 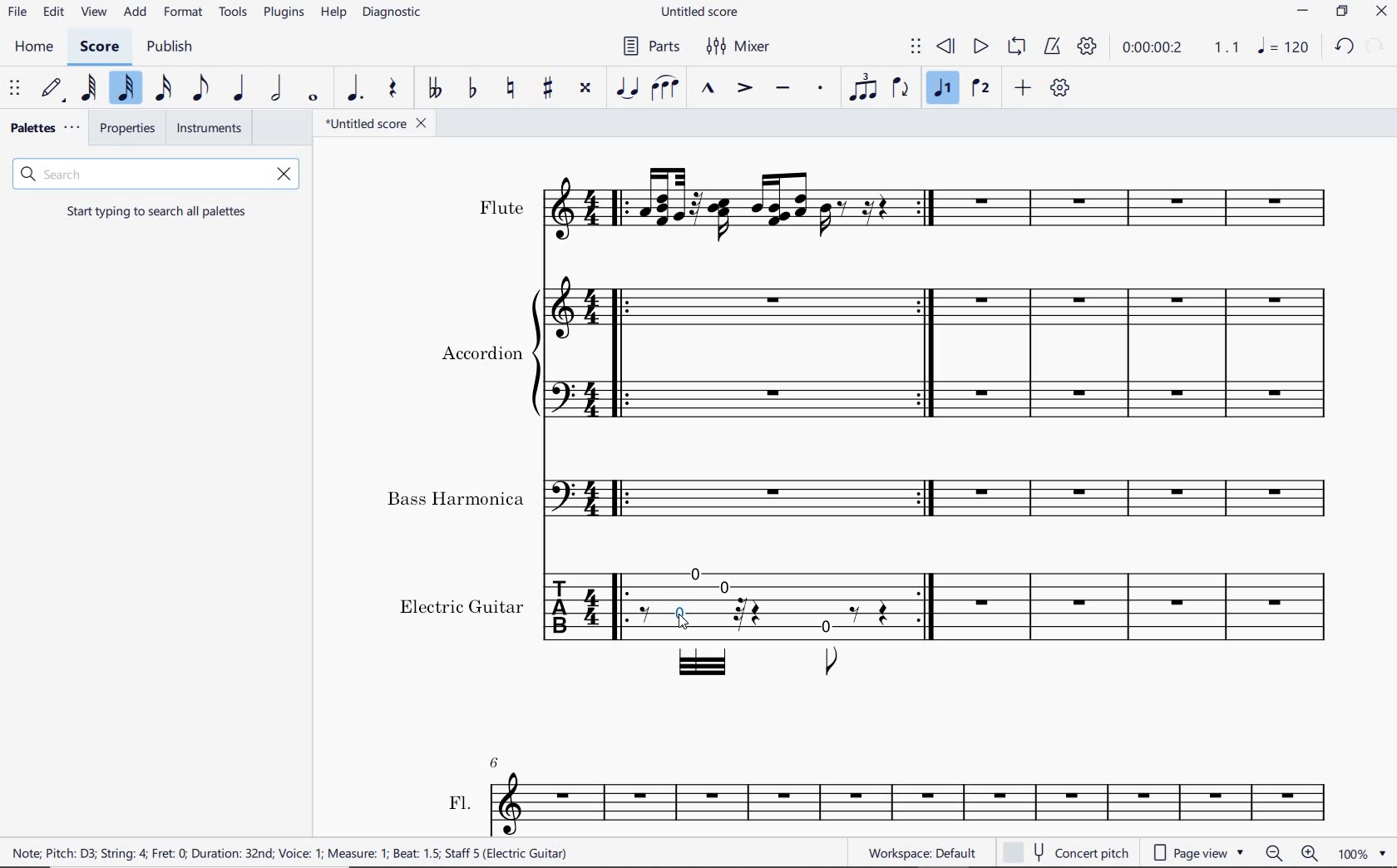 I want to click on ZOOM OUT OR ZOOM IN, so click(x=1291, y=852).